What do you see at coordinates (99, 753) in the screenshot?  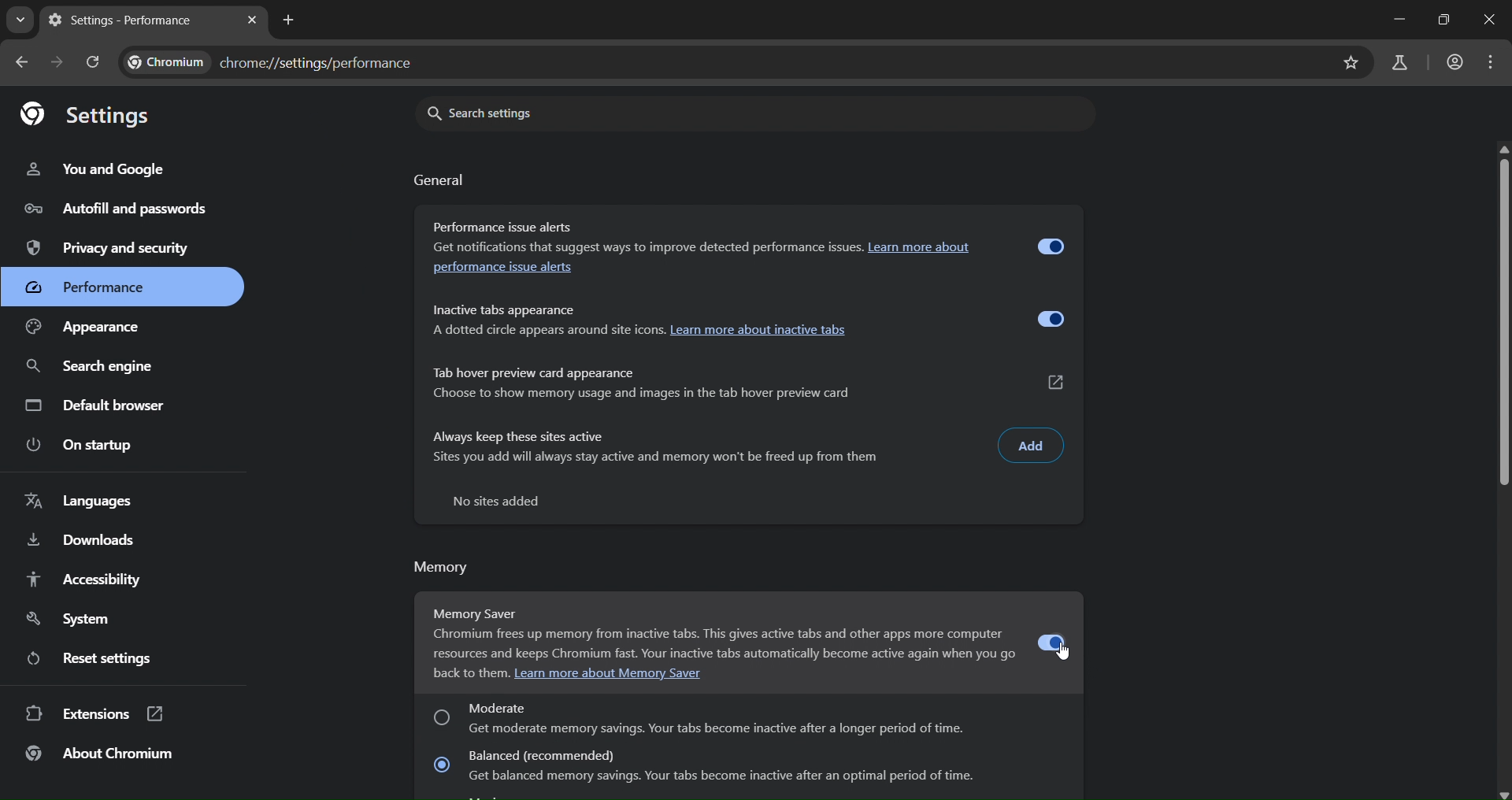 I see `About Chromium` at bounding box center [99, 753].